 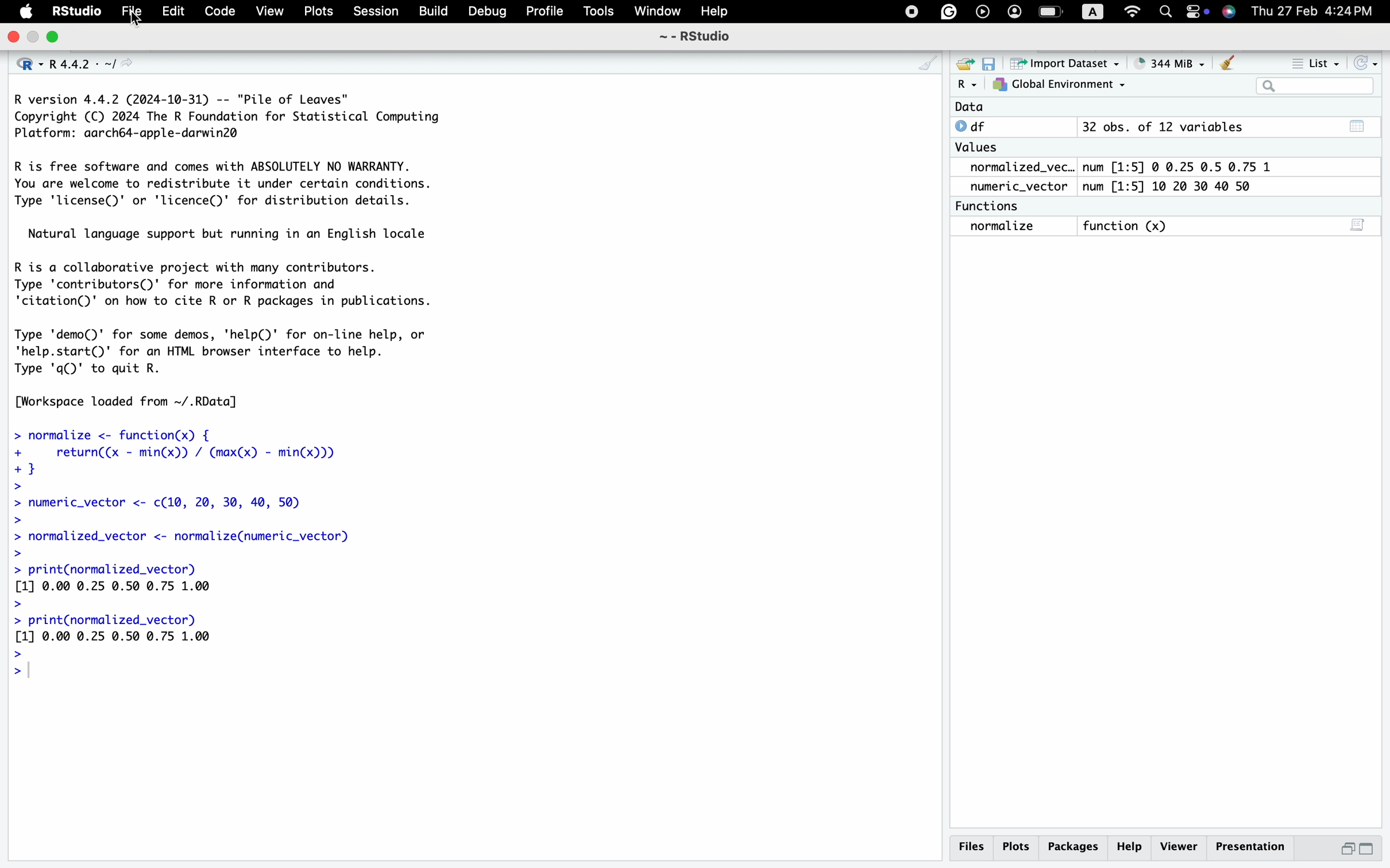 I want to click on siri, so click(x=1228, y=13).